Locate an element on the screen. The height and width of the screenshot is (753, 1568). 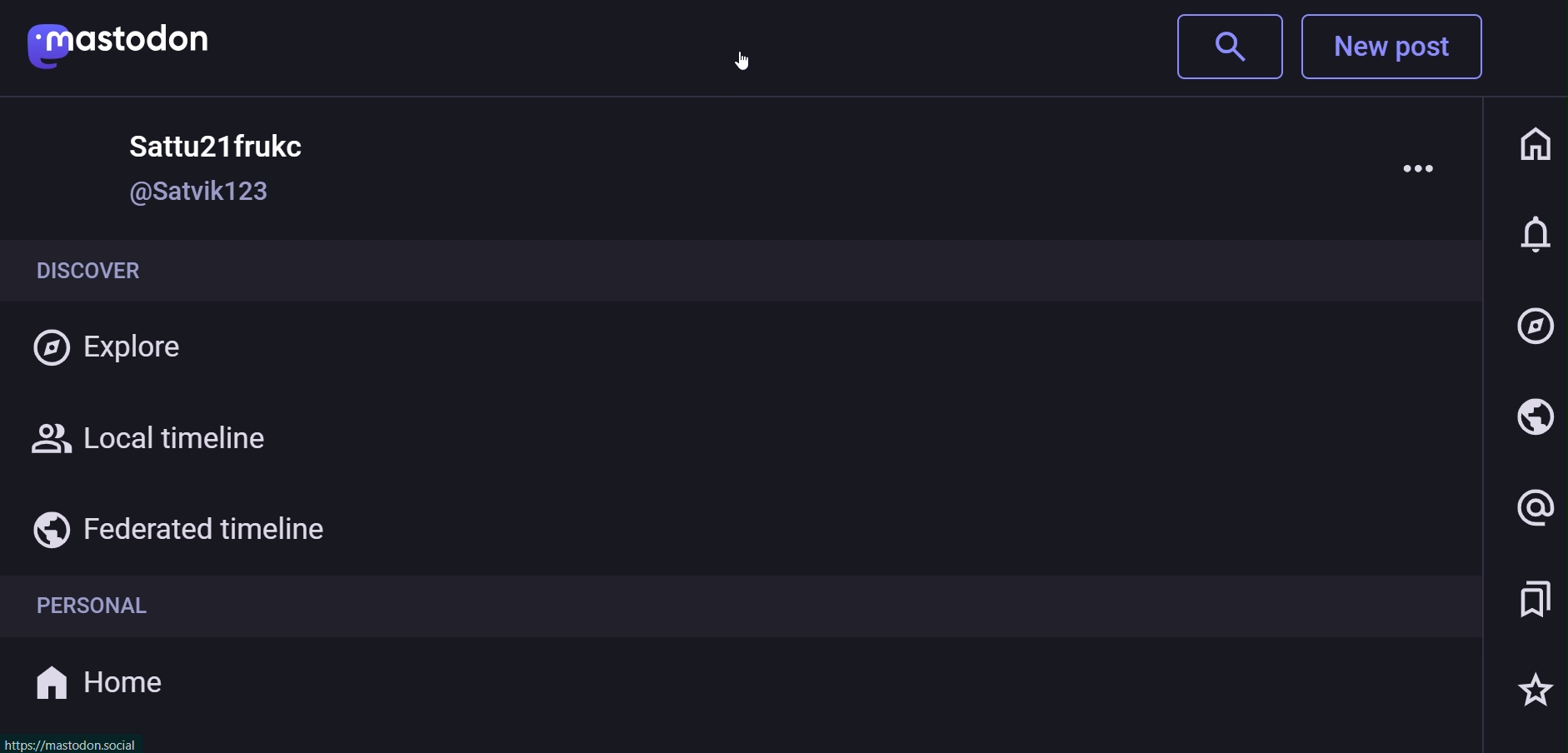
explore is located at coordinates (115, 350).